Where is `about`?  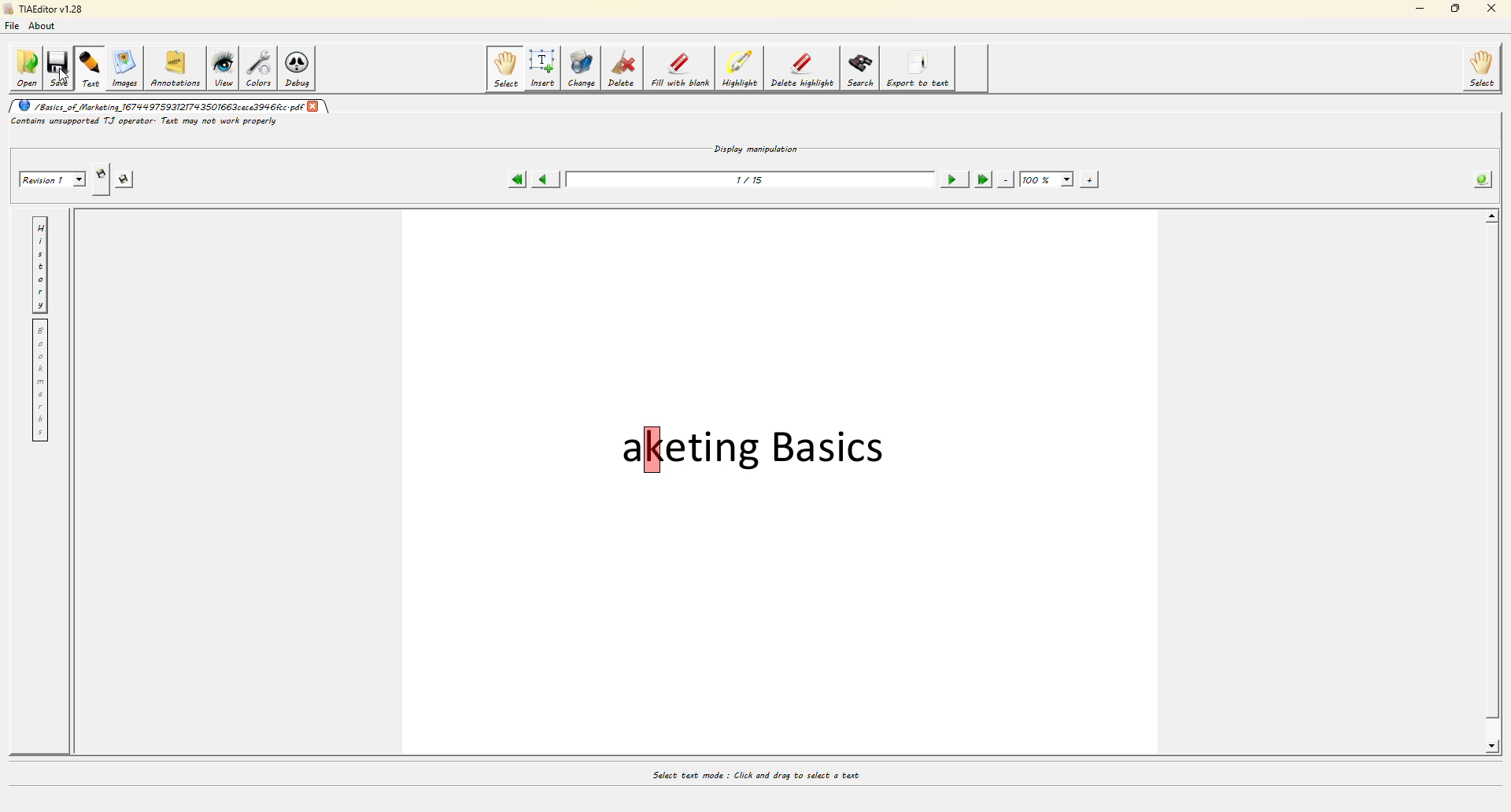
about is located at coordinates (46, 28).